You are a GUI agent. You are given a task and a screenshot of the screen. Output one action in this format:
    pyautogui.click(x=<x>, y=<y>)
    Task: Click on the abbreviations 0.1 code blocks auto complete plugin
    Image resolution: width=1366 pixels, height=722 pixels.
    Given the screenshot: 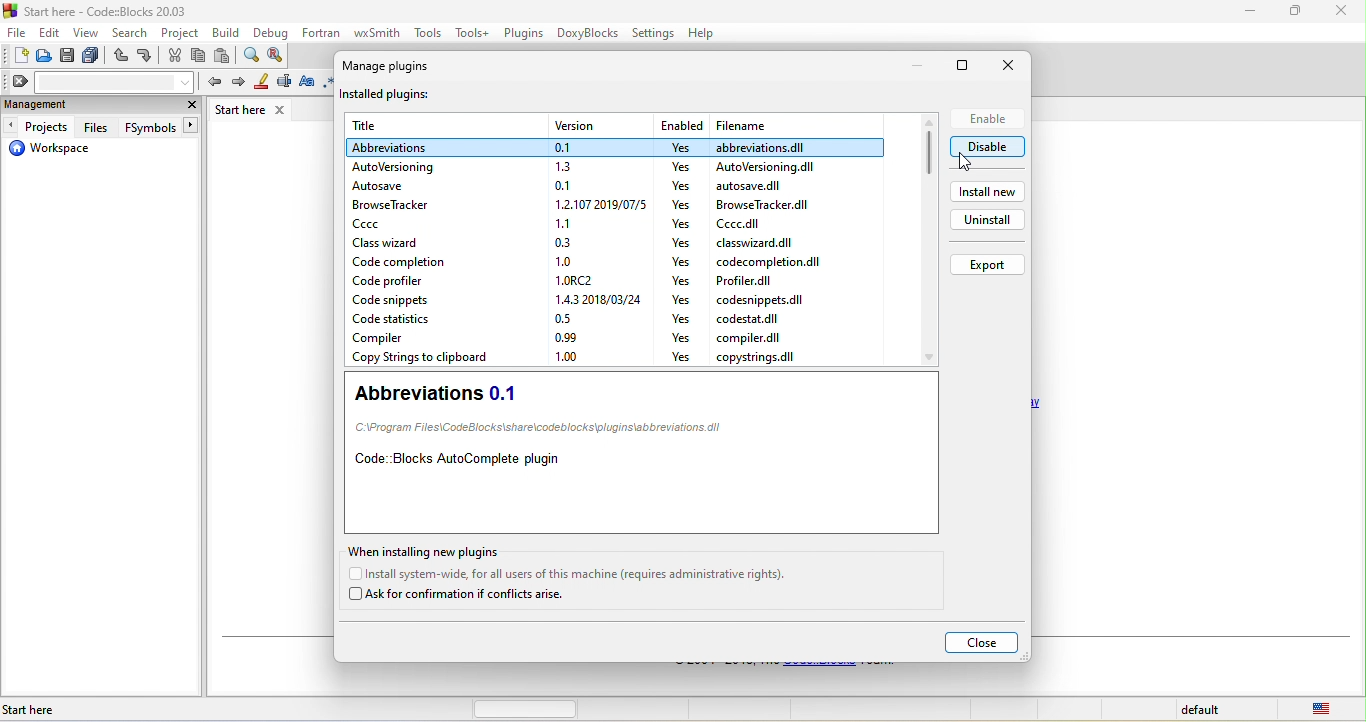 What is the action you would take?
    pyautogui.click(x=641, y=454)
    